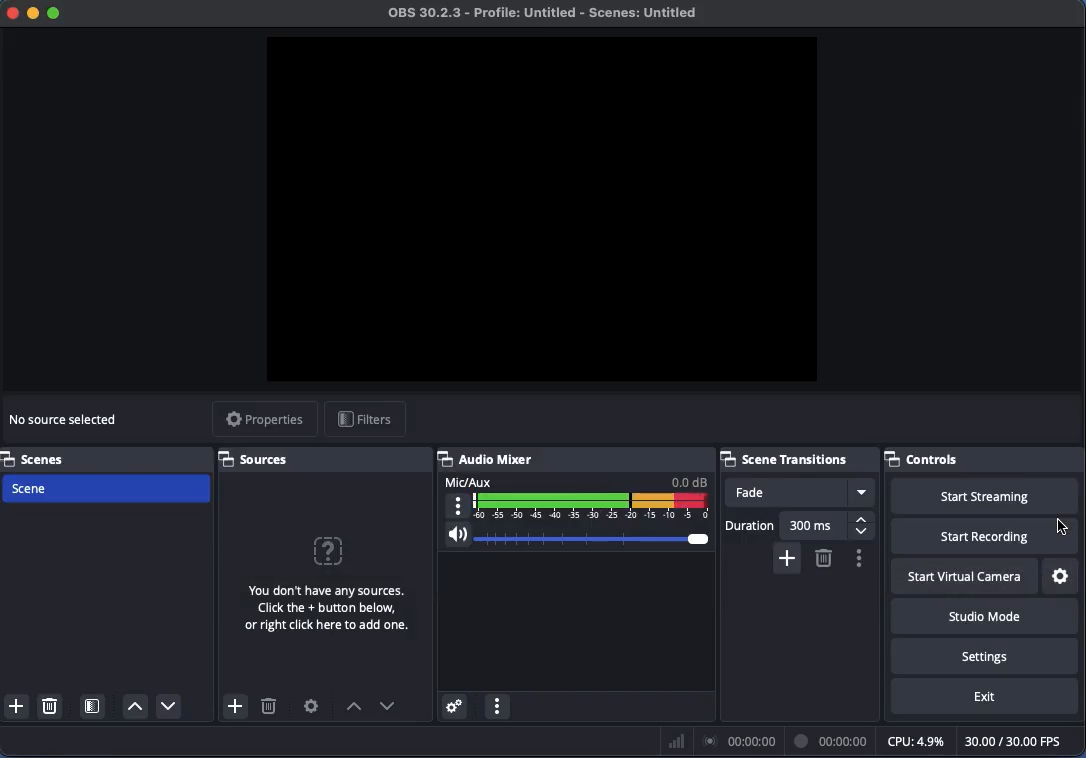  Describe the element at coordinates (546, 210) in the screenshot. I see `Screen` at that location.